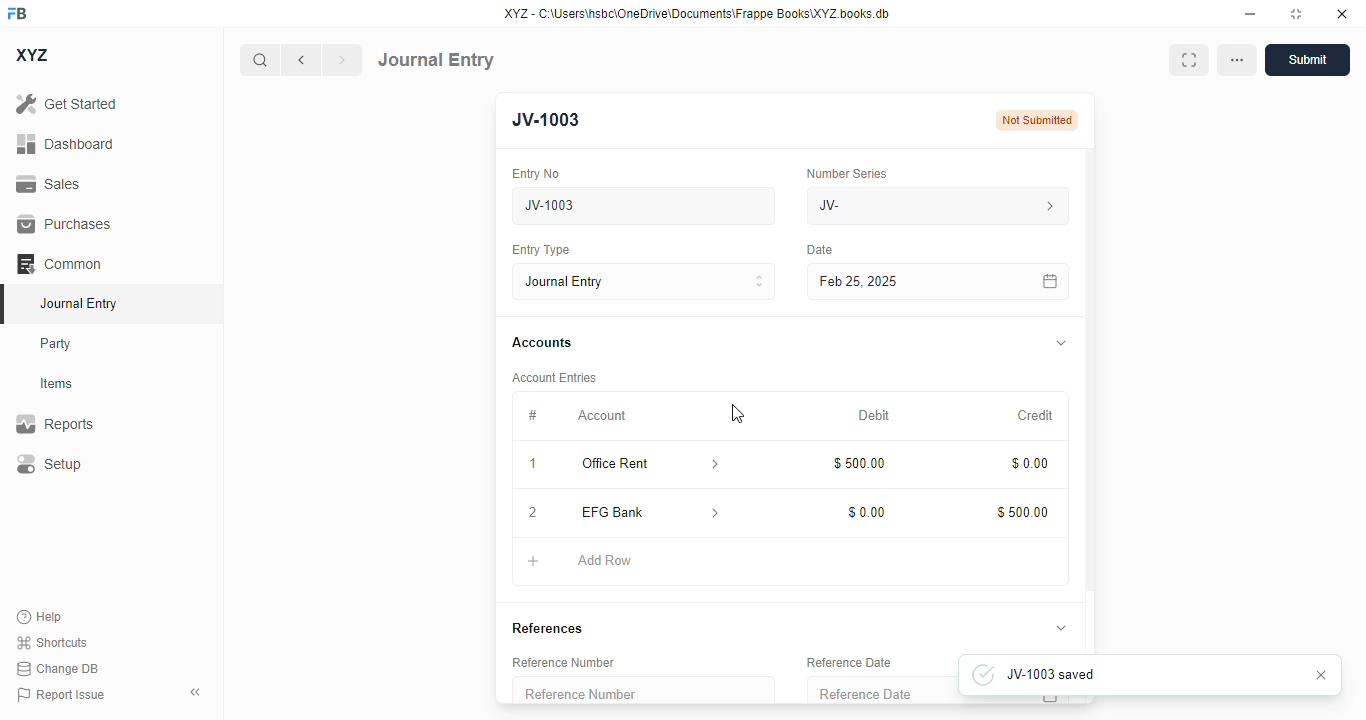 The width and height of the screenshot is (1366, 720). I want to click on setup, so click(48, 463).